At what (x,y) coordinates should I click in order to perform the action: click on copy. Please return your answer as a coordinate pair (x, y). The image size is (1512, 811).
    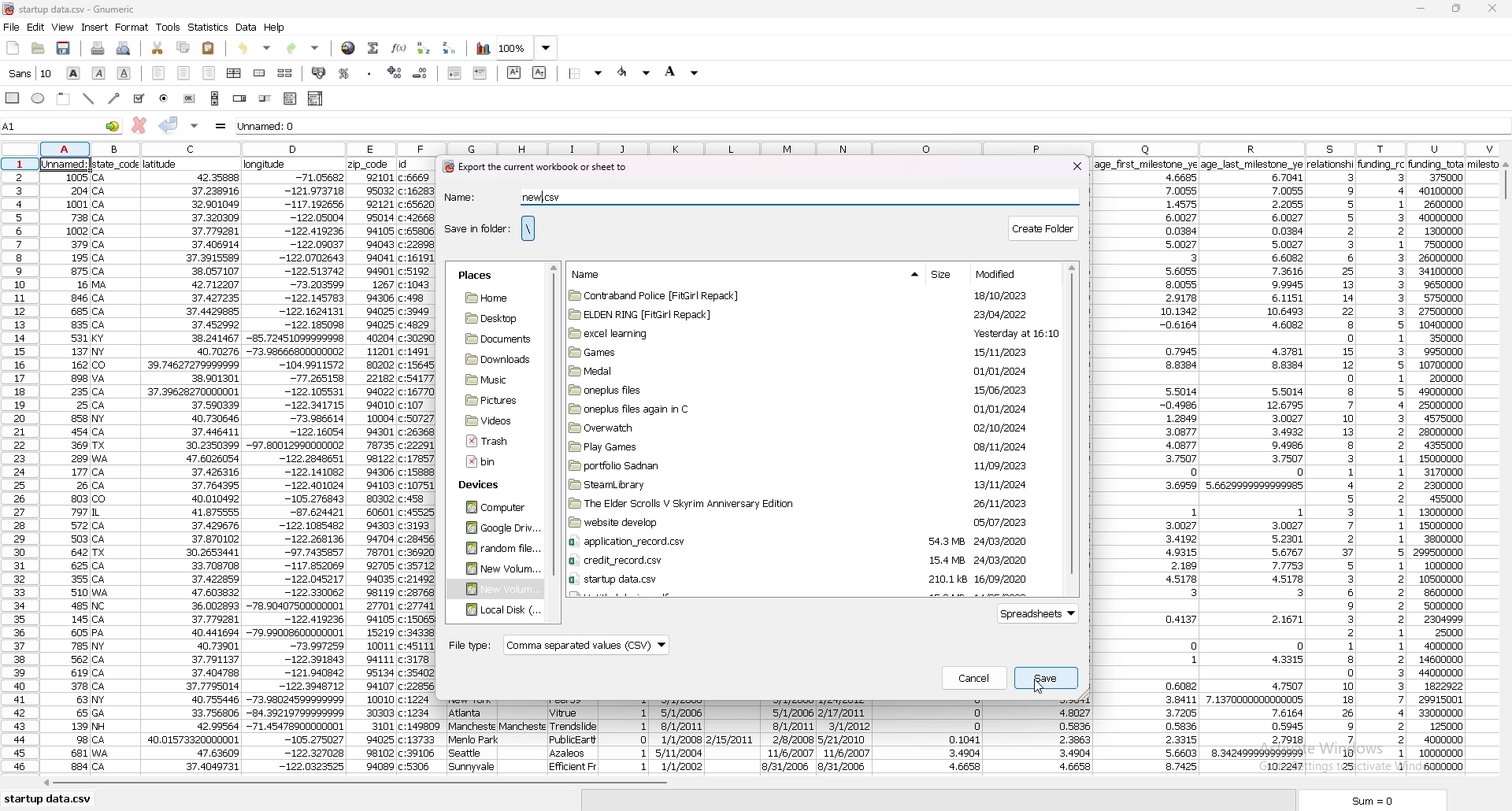
    Looking at the image, I should click on (183, 48).